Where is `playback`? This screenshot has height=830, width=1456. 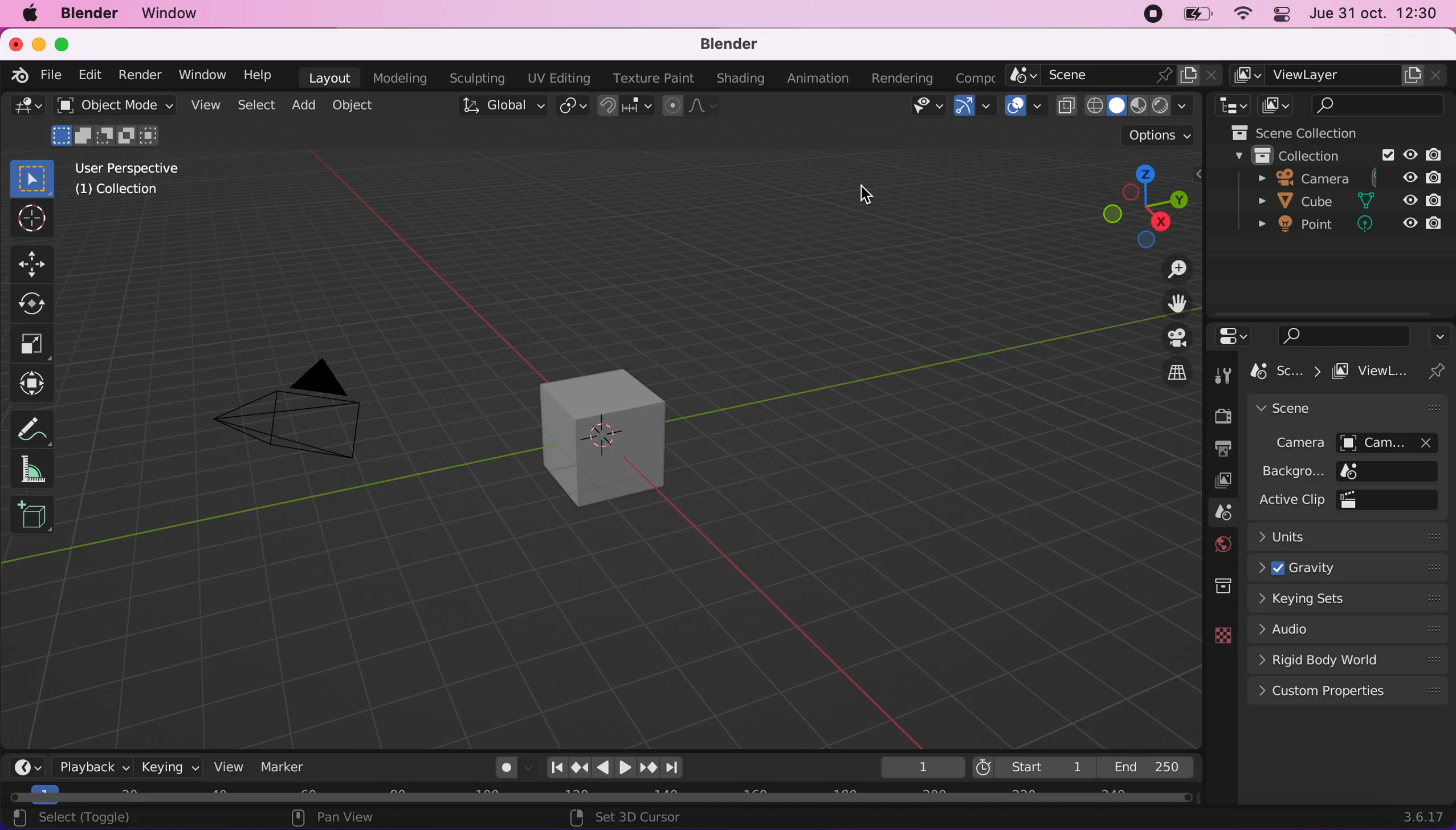 playback is located at coordinates (87, 766).